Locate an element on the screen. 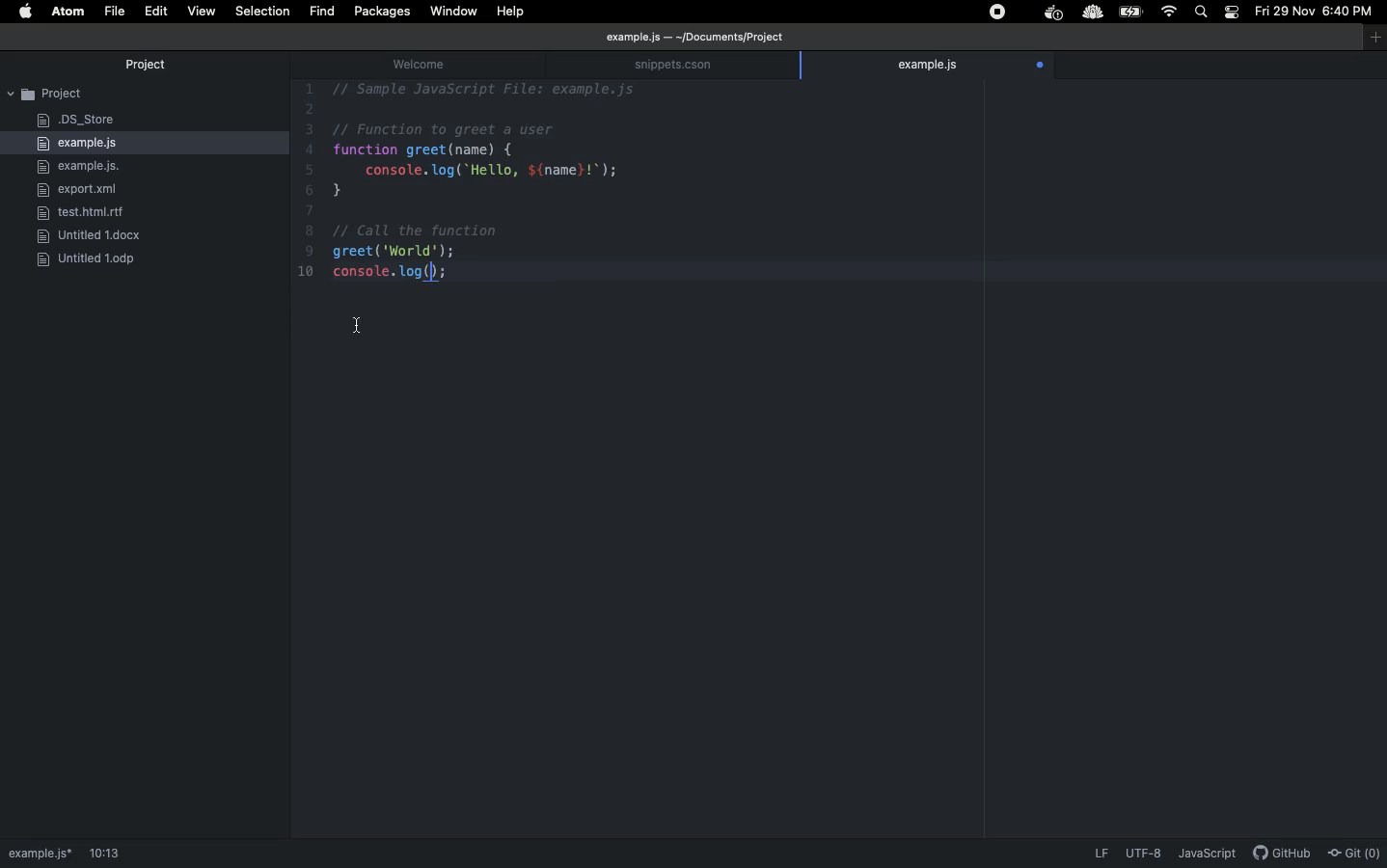  Cursor is located at coordinates (362, 333).